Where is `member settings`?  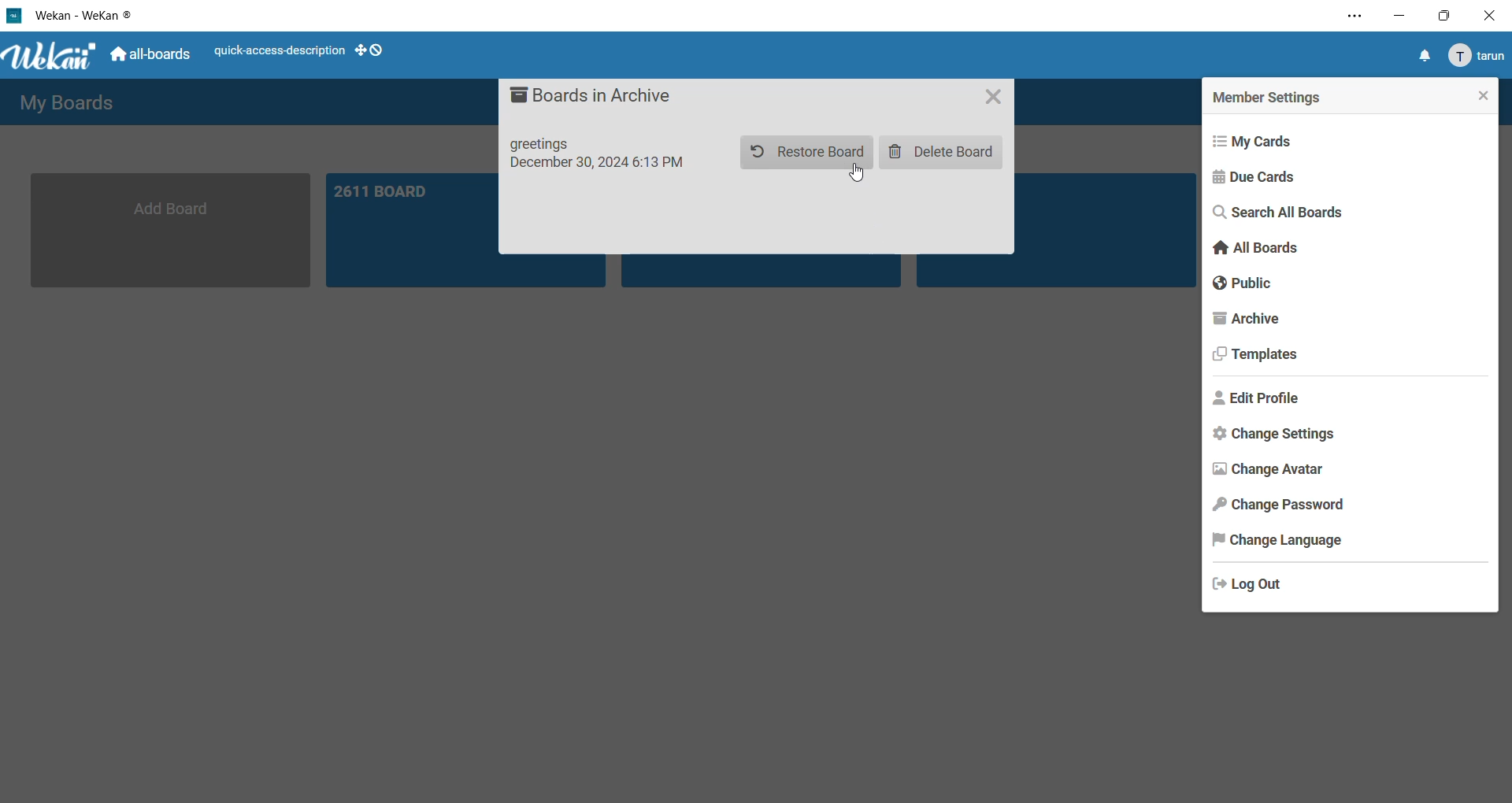 member settings is located at coordinates (1272, 97).